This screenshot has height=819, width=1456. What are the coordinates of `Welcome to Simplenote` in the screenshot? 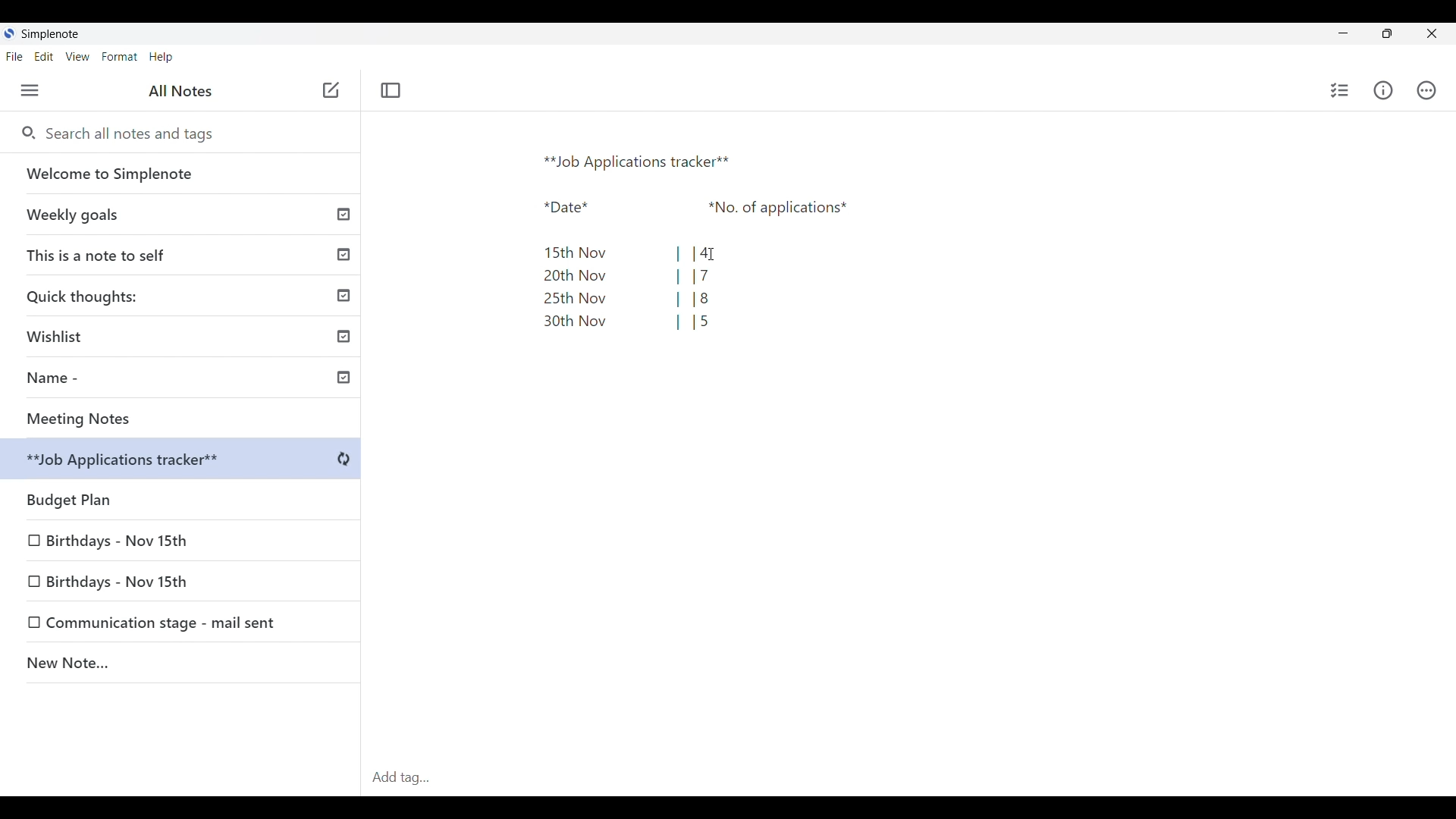 It's located at (181, 174).